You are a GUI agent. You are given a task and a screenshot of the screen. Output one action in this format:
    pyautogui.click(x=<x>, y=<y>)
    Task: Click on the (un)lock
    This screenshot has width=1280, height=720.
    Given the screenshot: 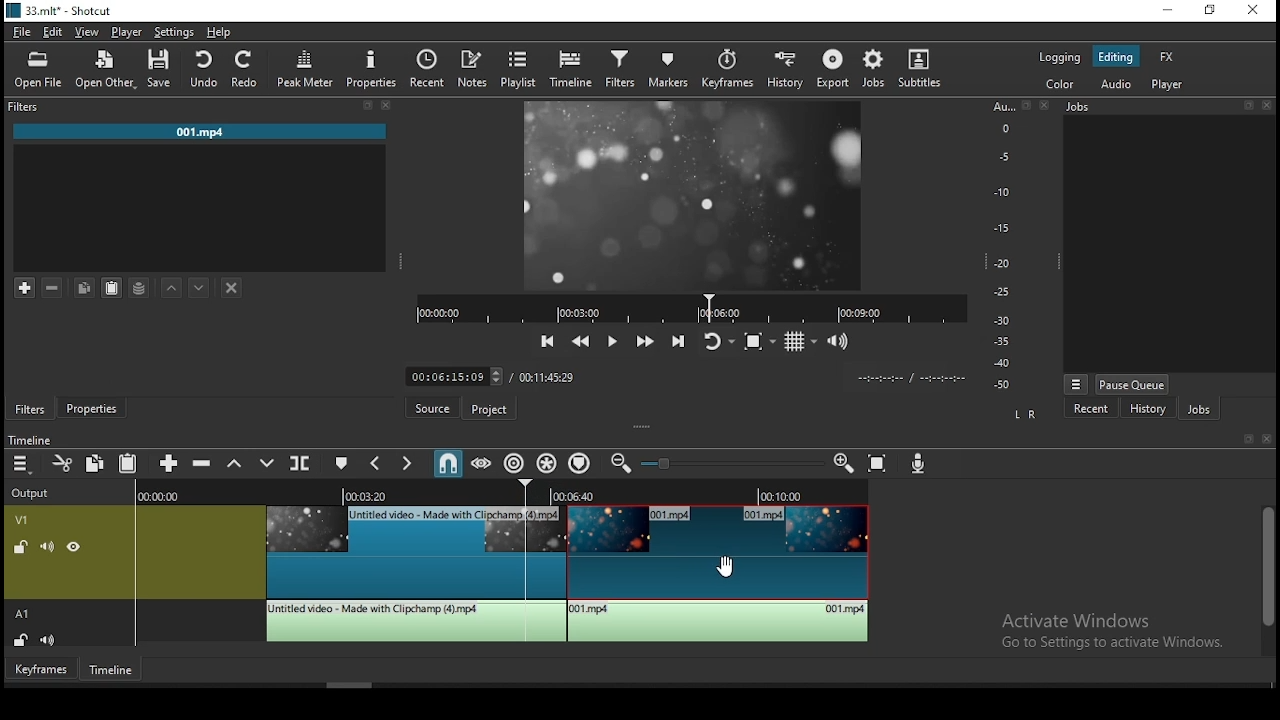 What is the action you would take?
    pyautogui.click(x=23, y=640)
    